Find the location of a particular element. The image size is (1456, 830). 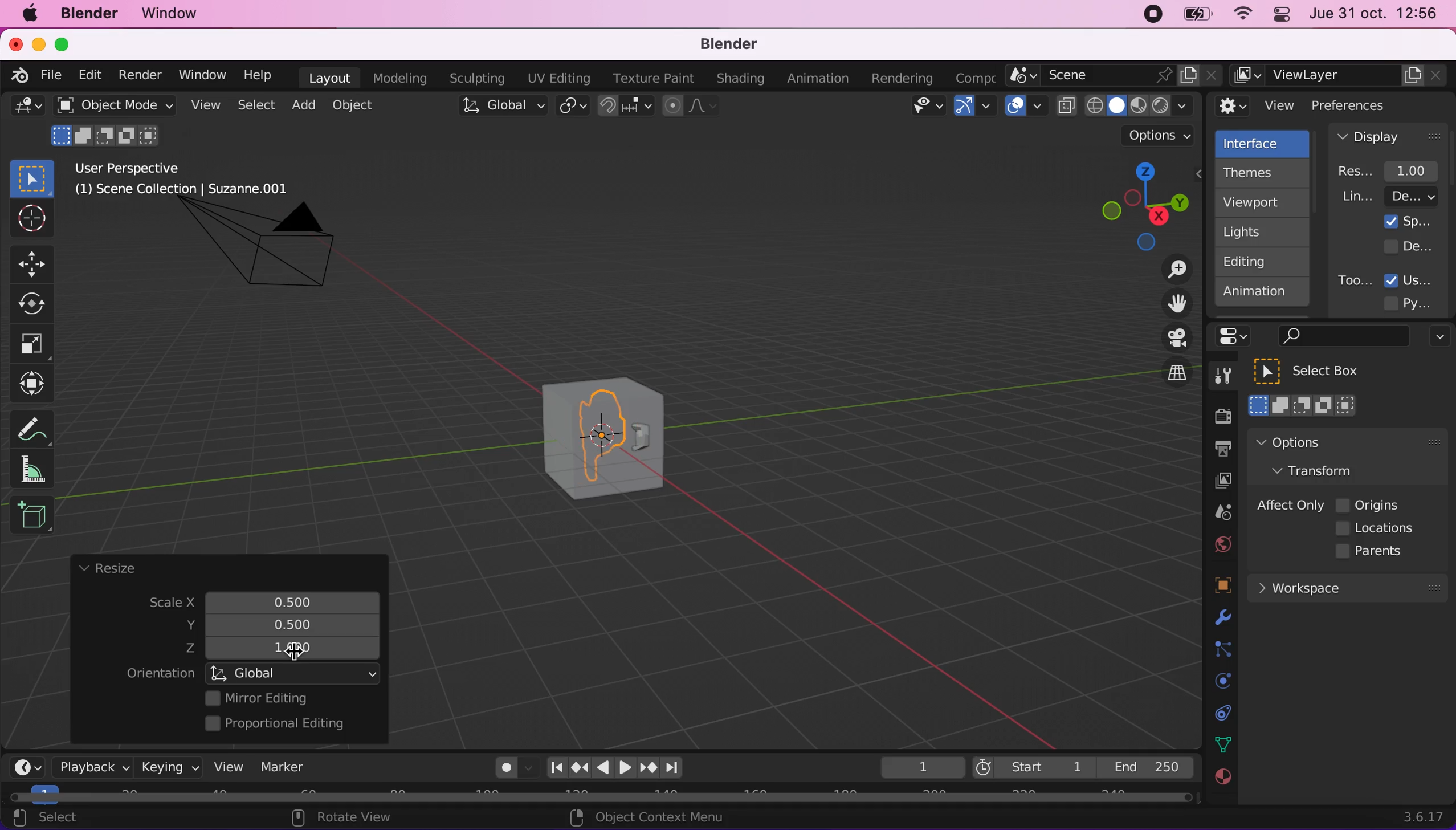

shading is located at coordinates (741, 79).